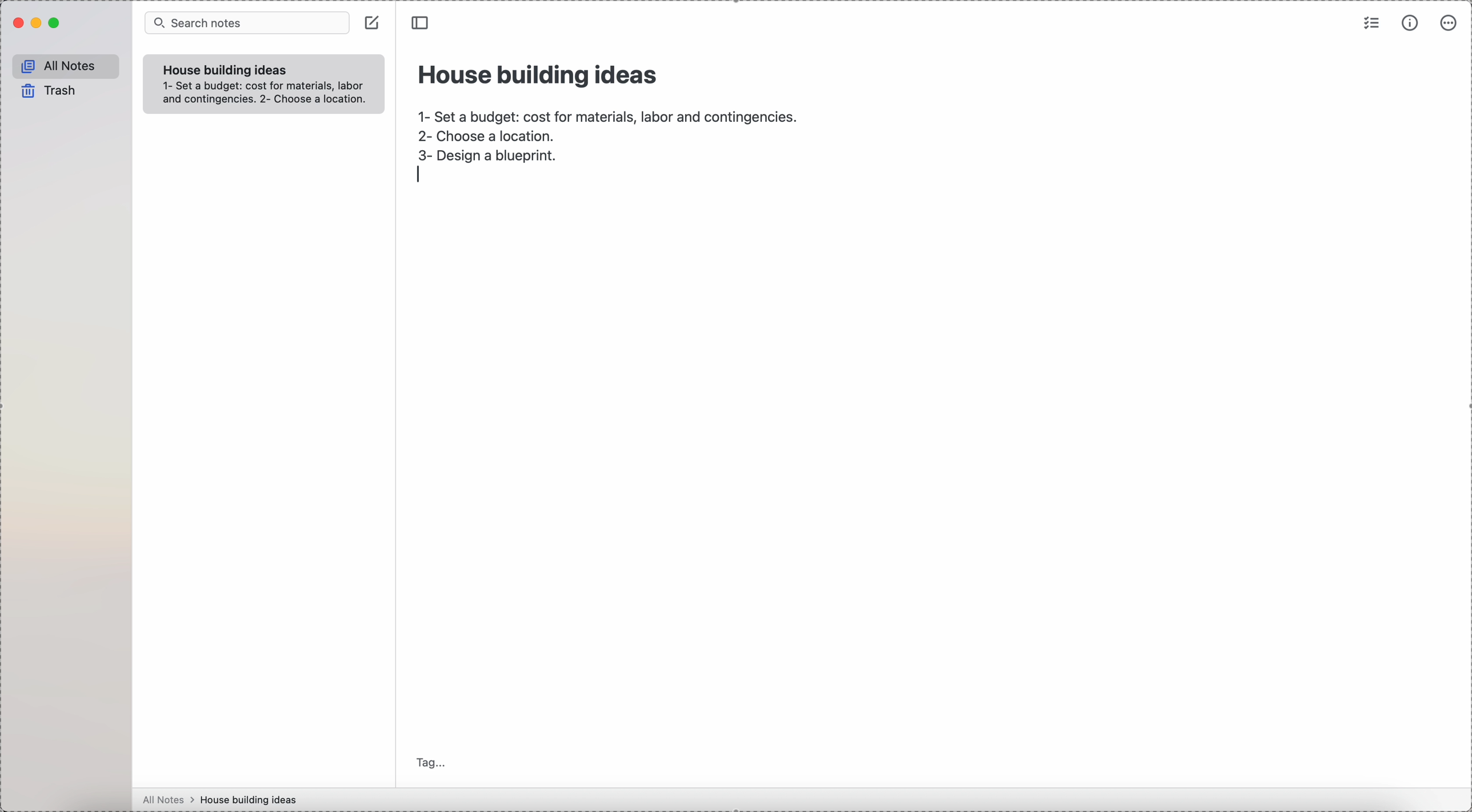  I want to click on metrics, so click(1410, 25).